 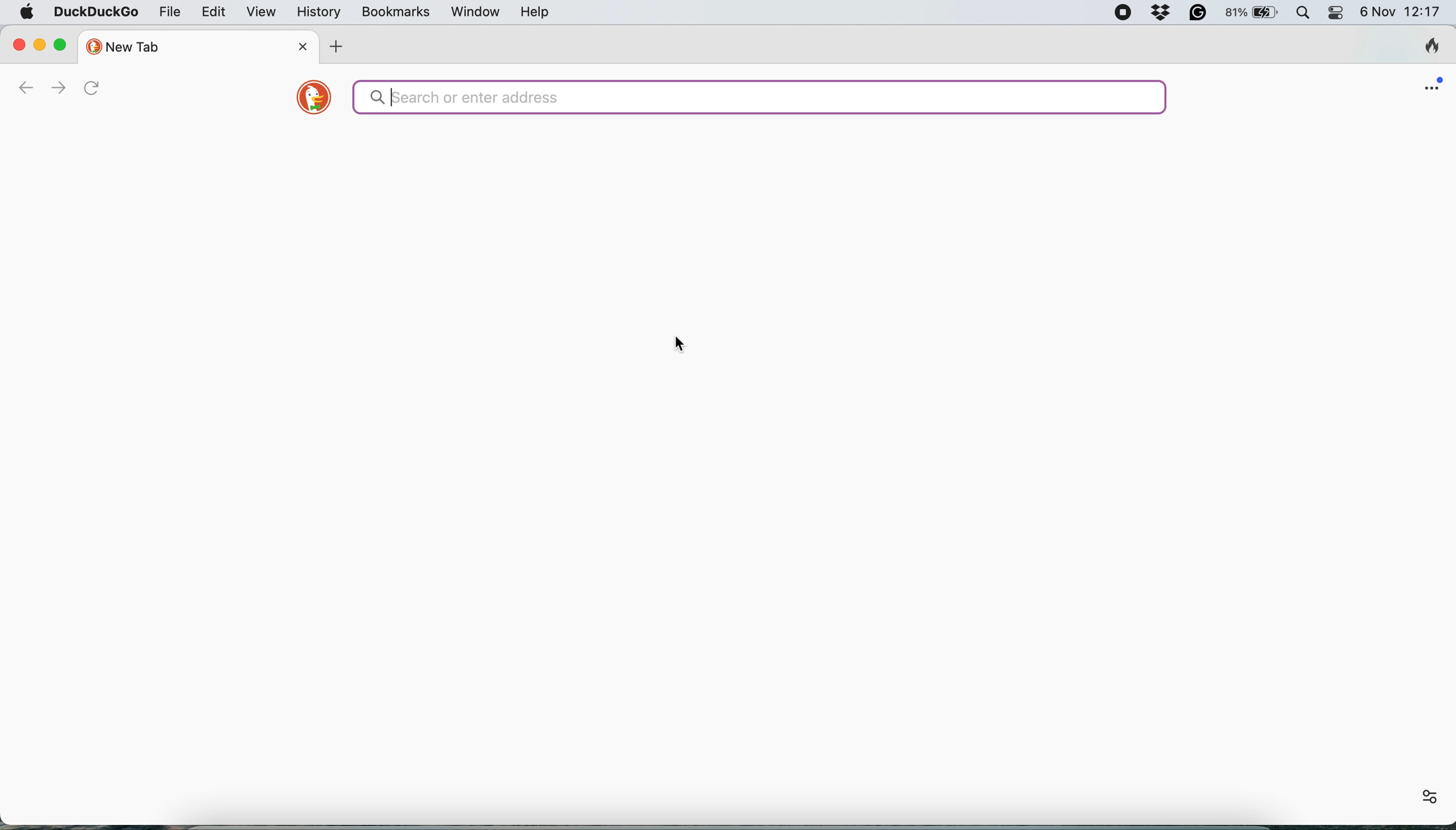 I want to click on file, so click(x=172, y=11).